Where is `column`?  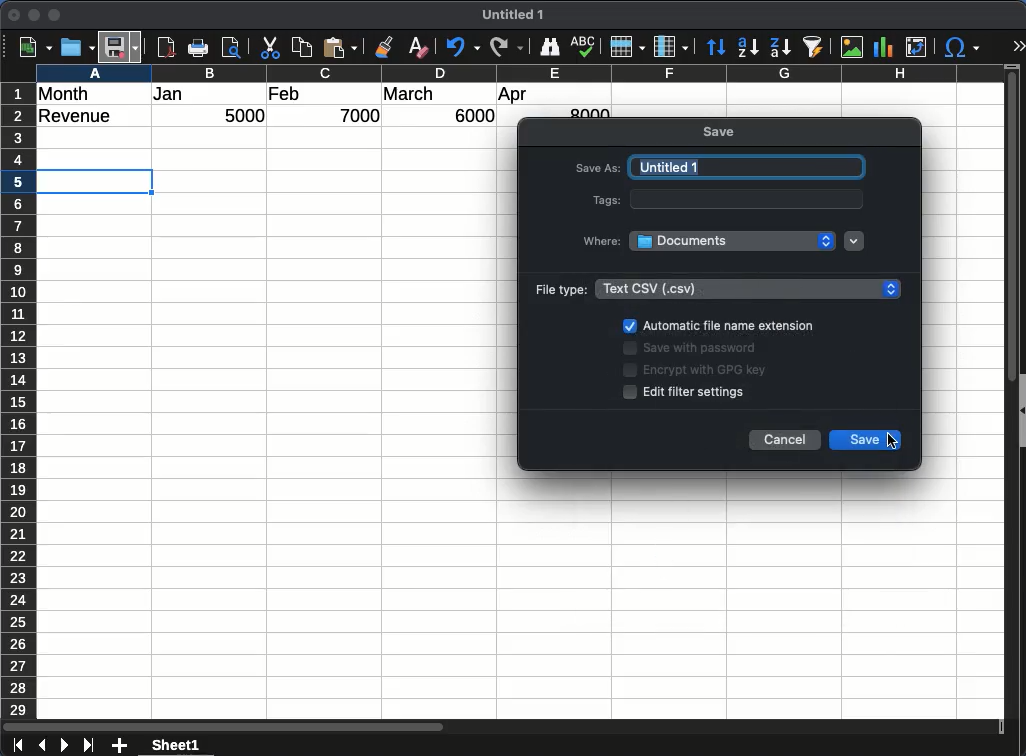 column is located at coordinates (519, 72).